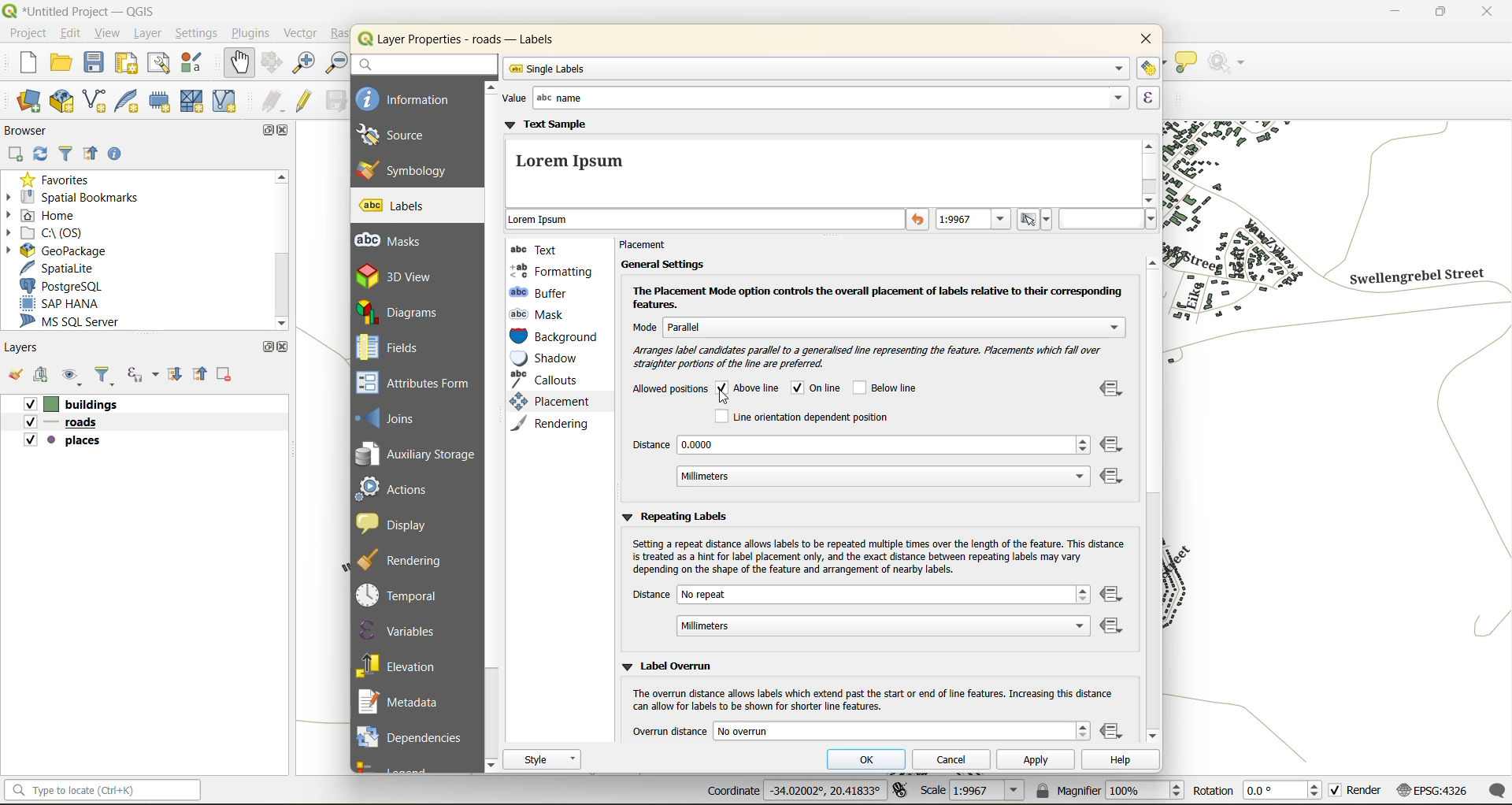 The height and width of the screenshot is (805, 1512). I want to click on edit, so click(72, 35).